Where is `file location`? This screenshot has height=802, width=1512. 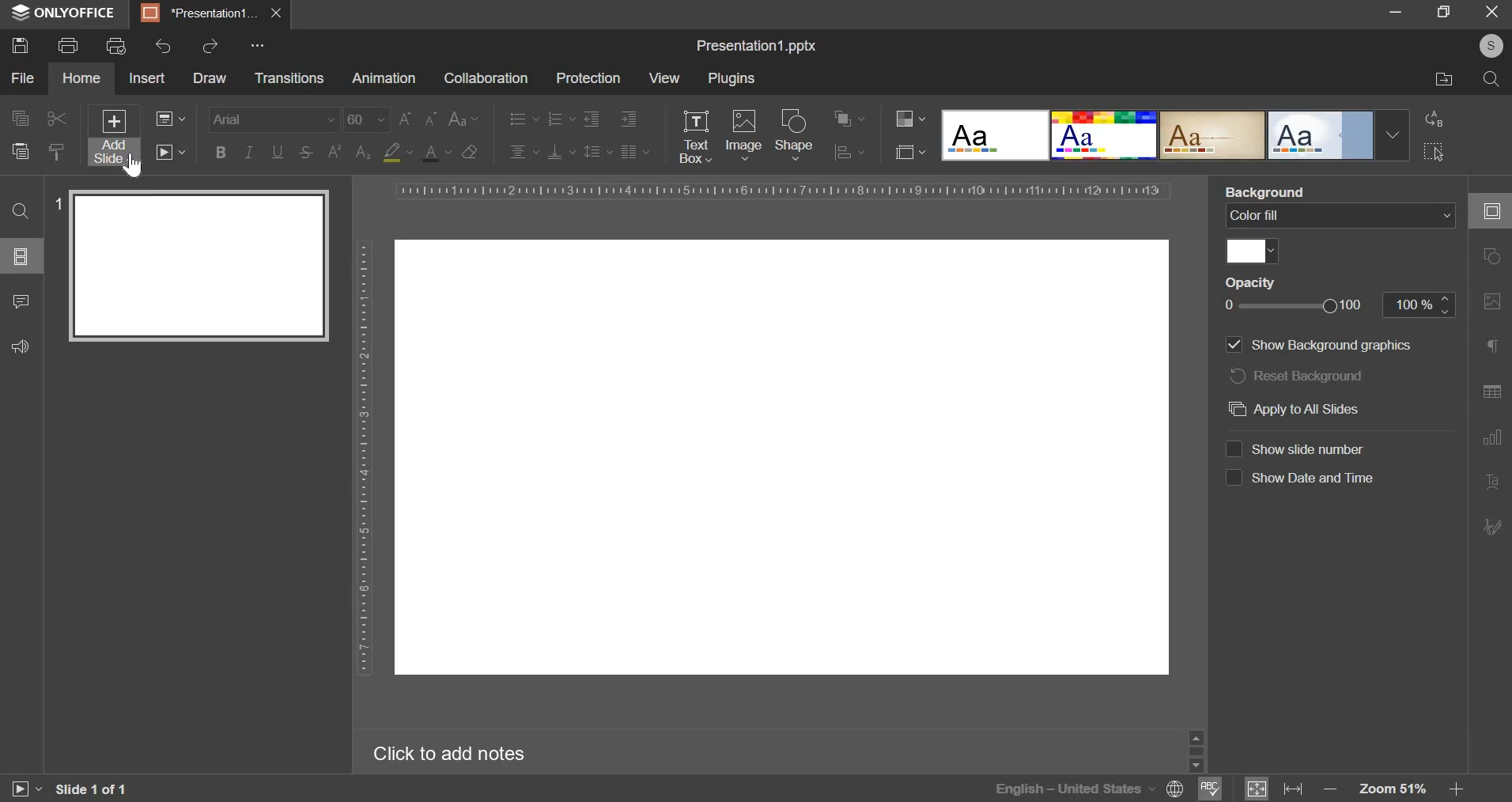 file location is located at coordinates (1445, 80).